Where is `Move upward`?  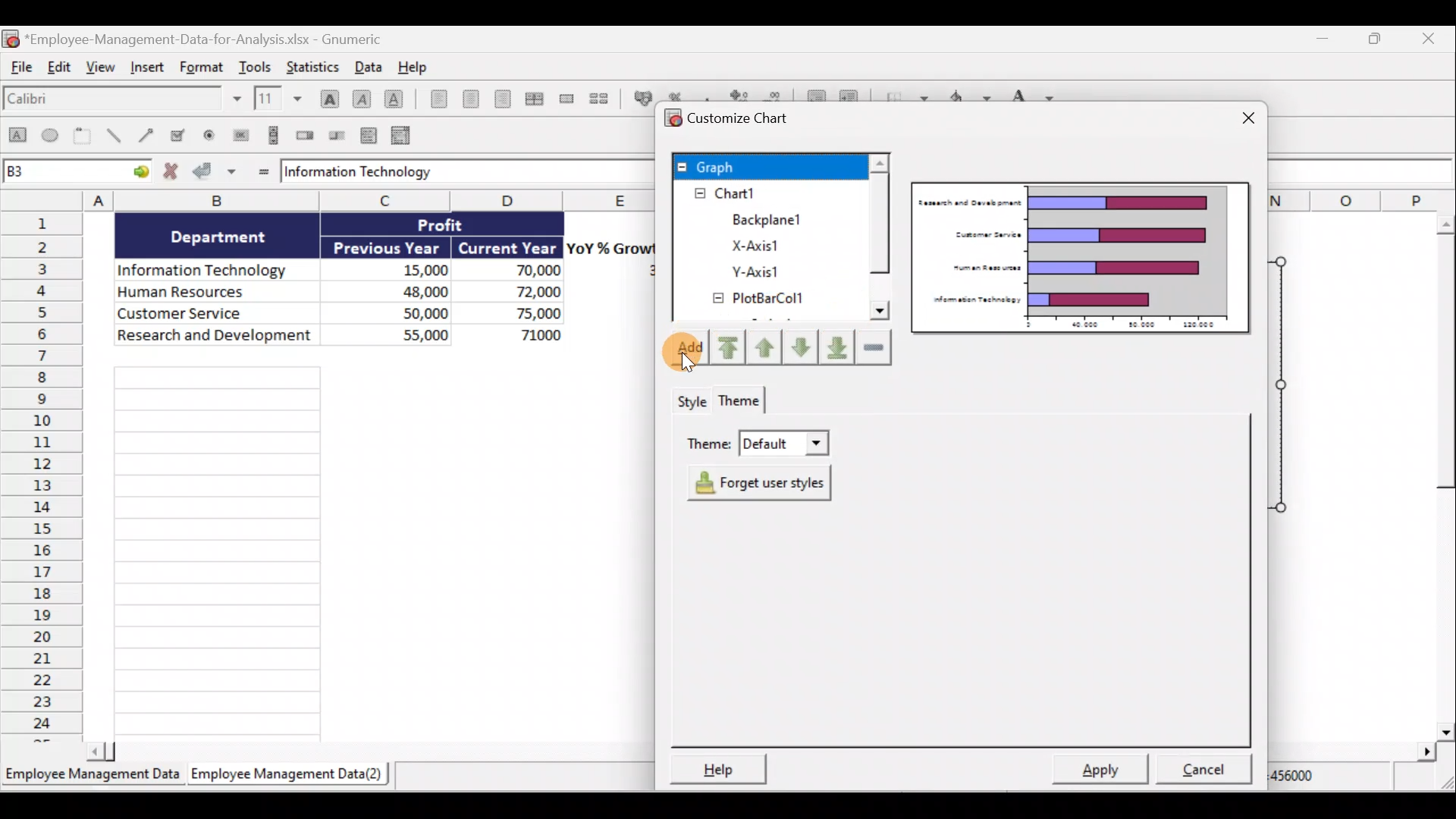
Move upward is located at coordinates (727, 350).